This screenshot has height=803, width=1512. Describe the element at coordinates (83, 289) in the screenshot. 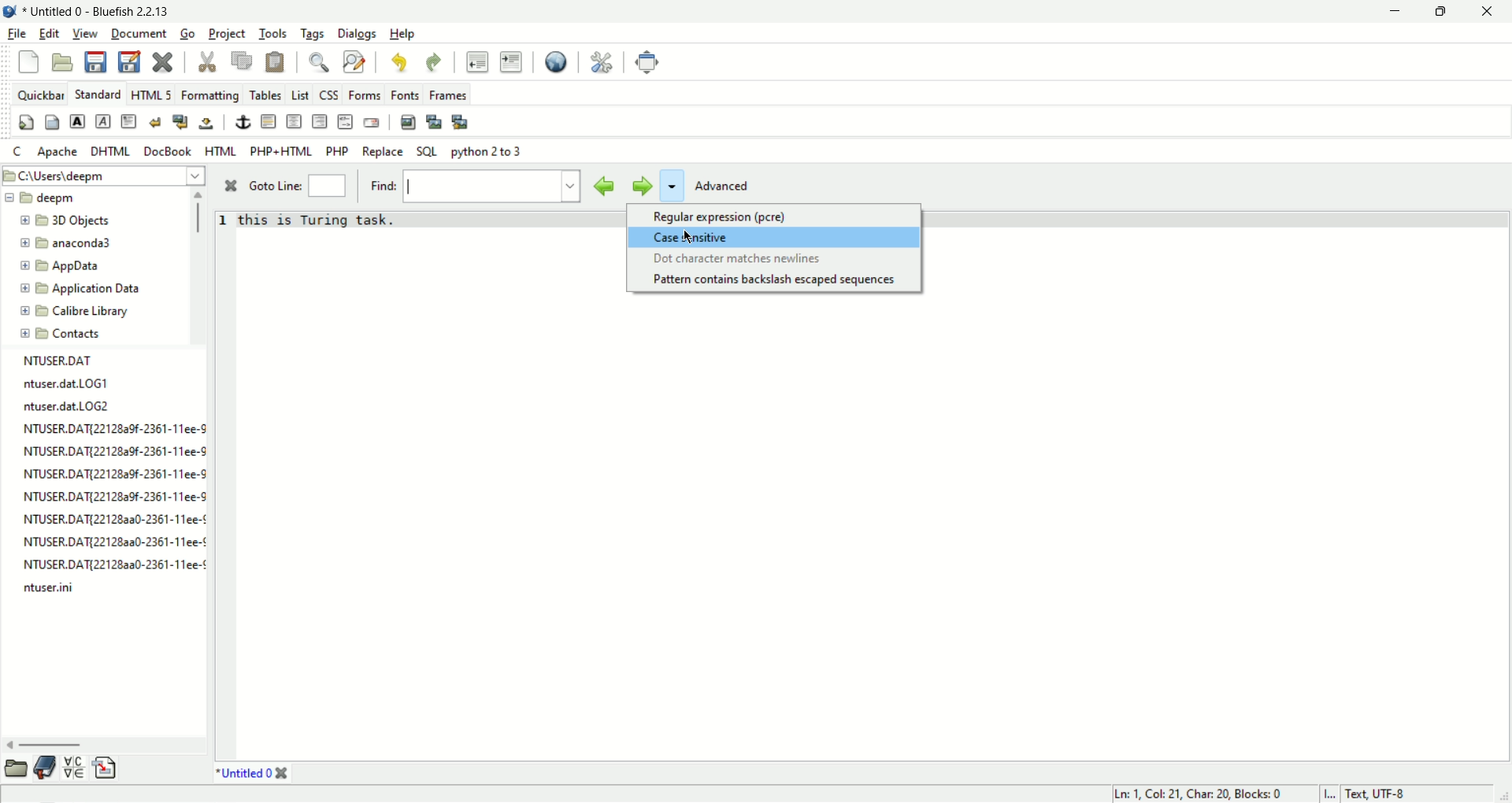

I see `Application Data` at that location.